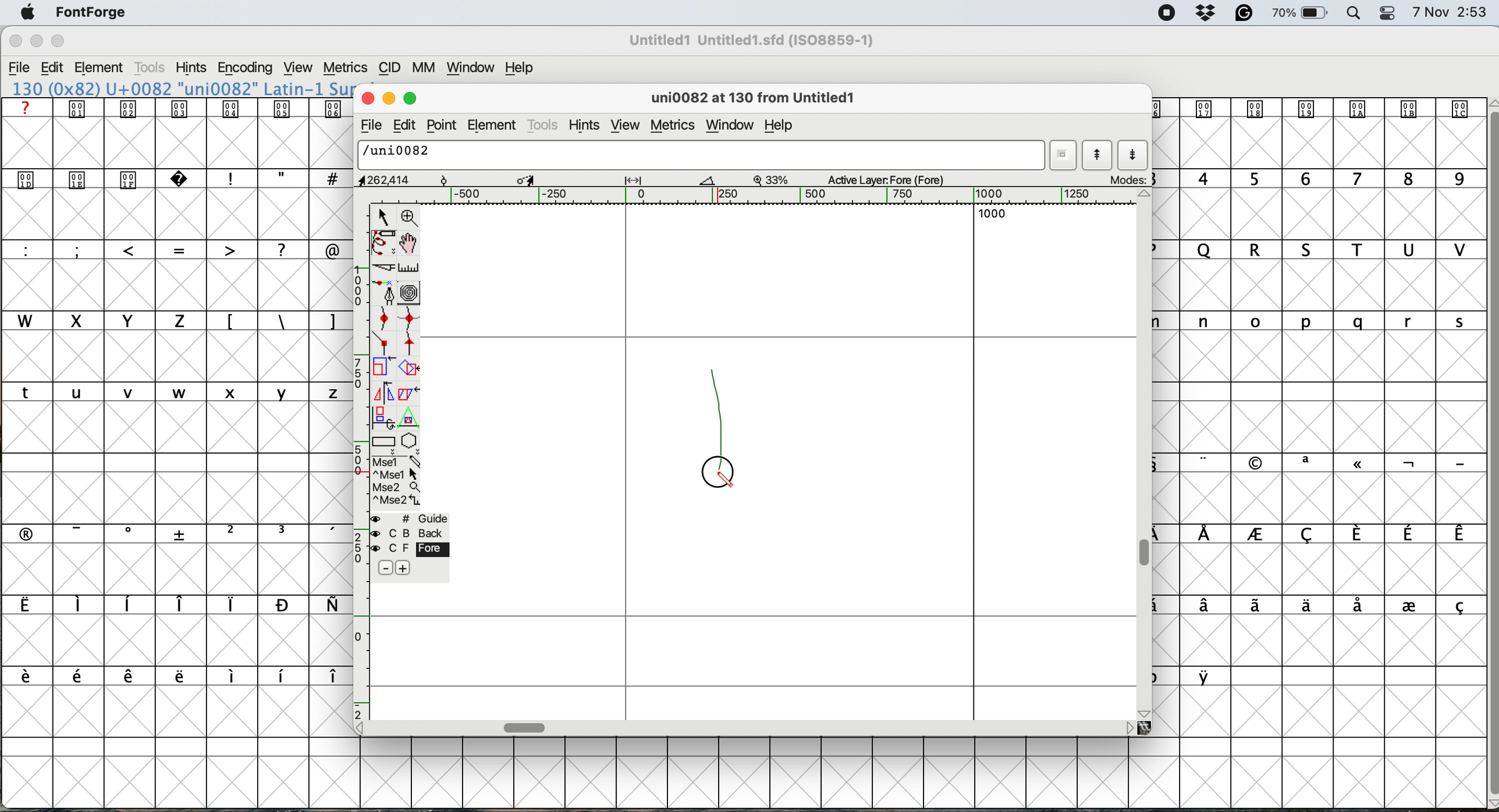 The image size is (1499, 812). I want to click on , so click(59, 26).